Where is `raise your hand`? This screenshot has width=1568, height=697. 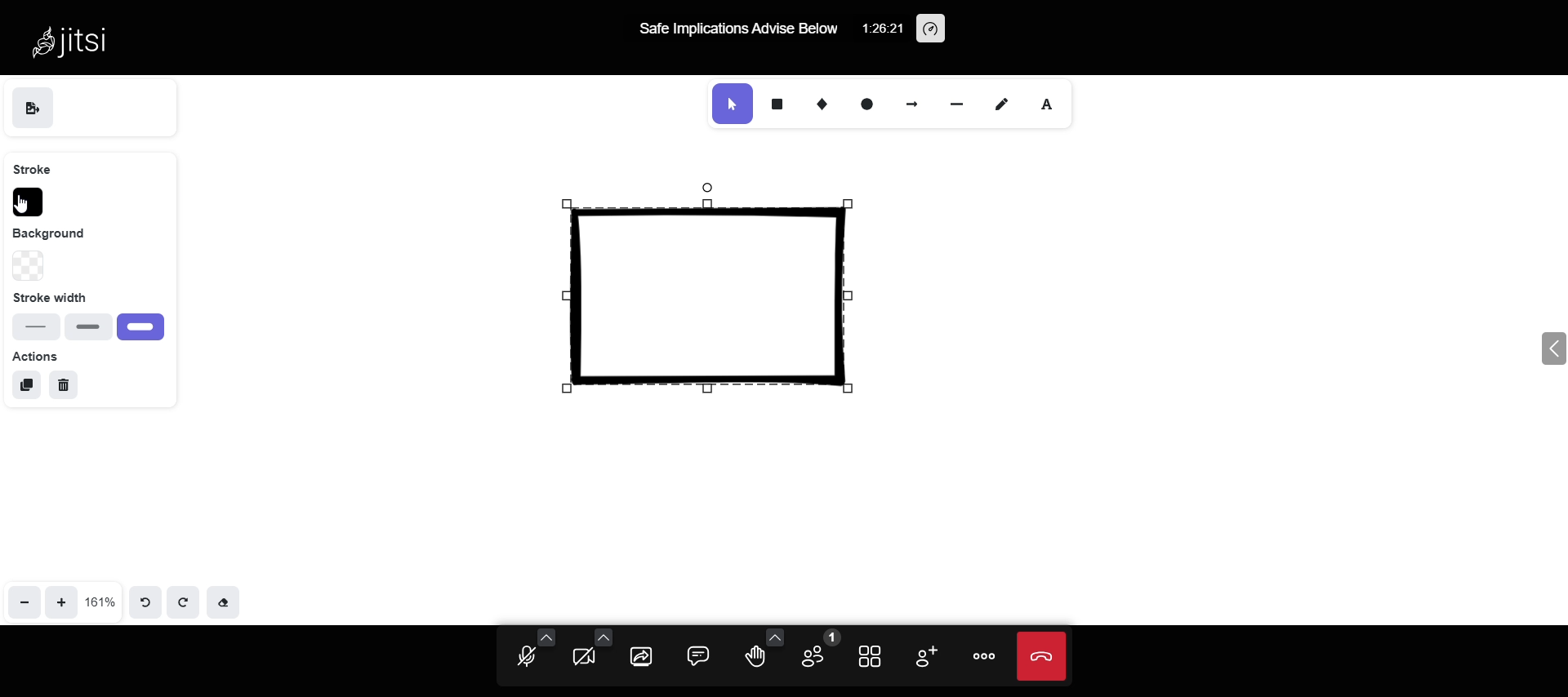
raise your hand is located at coordinates (755, 660).